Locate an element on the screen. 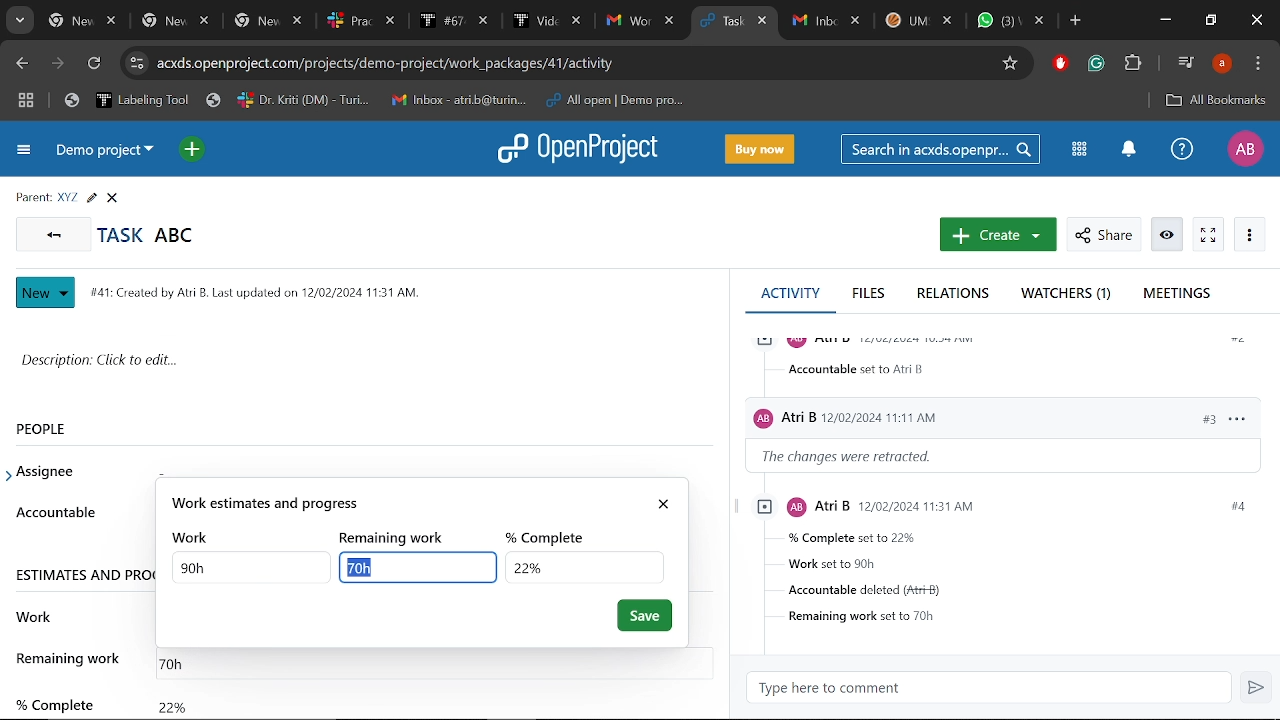  Type here to comment is located at coordinates (995, 688).